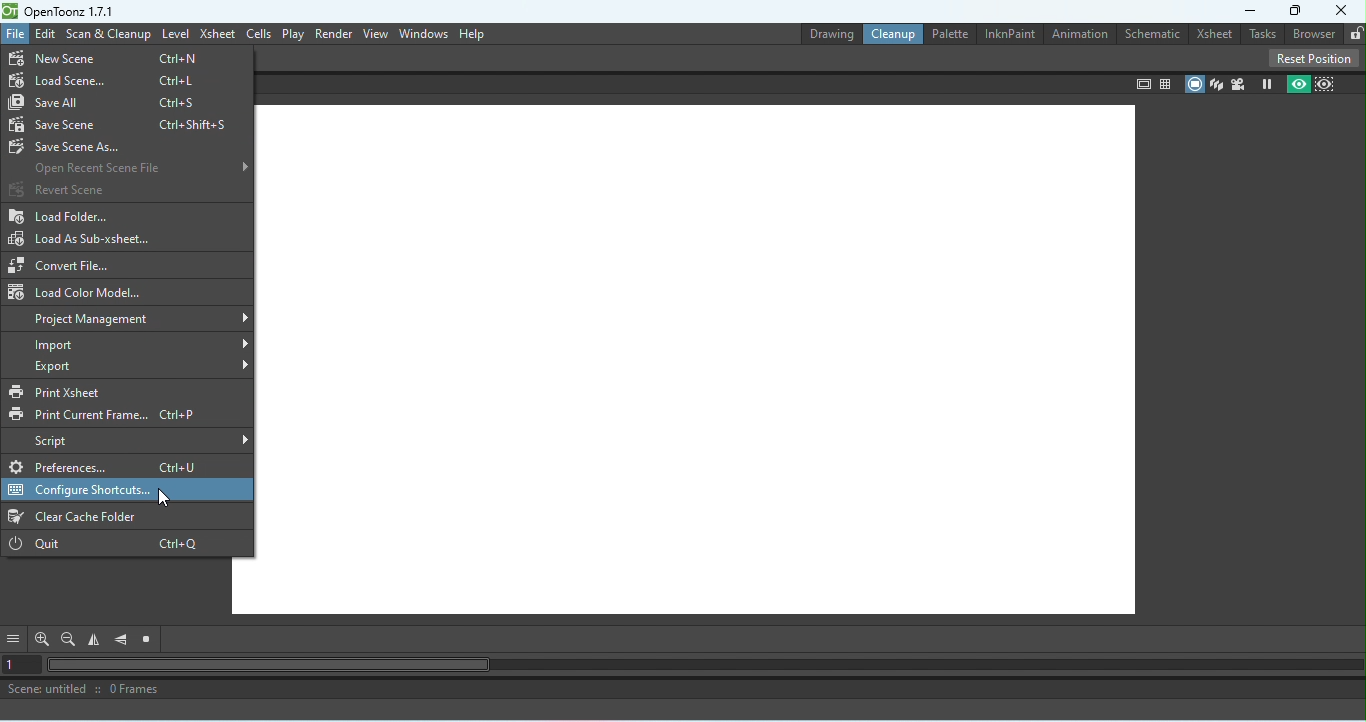  I want to click on Quit, so click(108, 546).